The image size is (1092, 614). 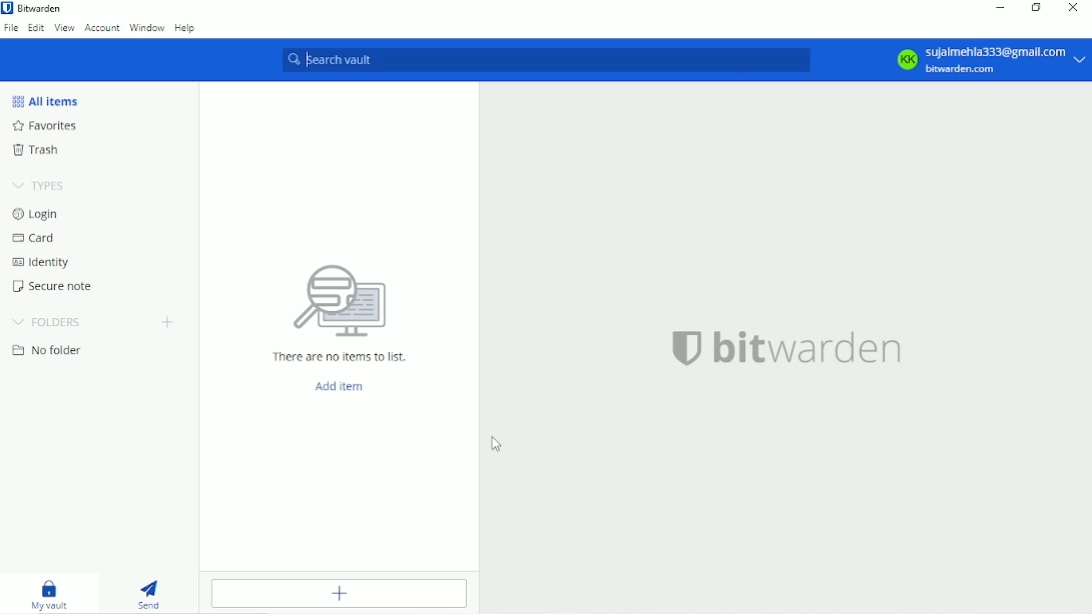 What do you see at coordinates (50, 98) in the screenshot?
I see `All items` at bounding box center [50, 98].